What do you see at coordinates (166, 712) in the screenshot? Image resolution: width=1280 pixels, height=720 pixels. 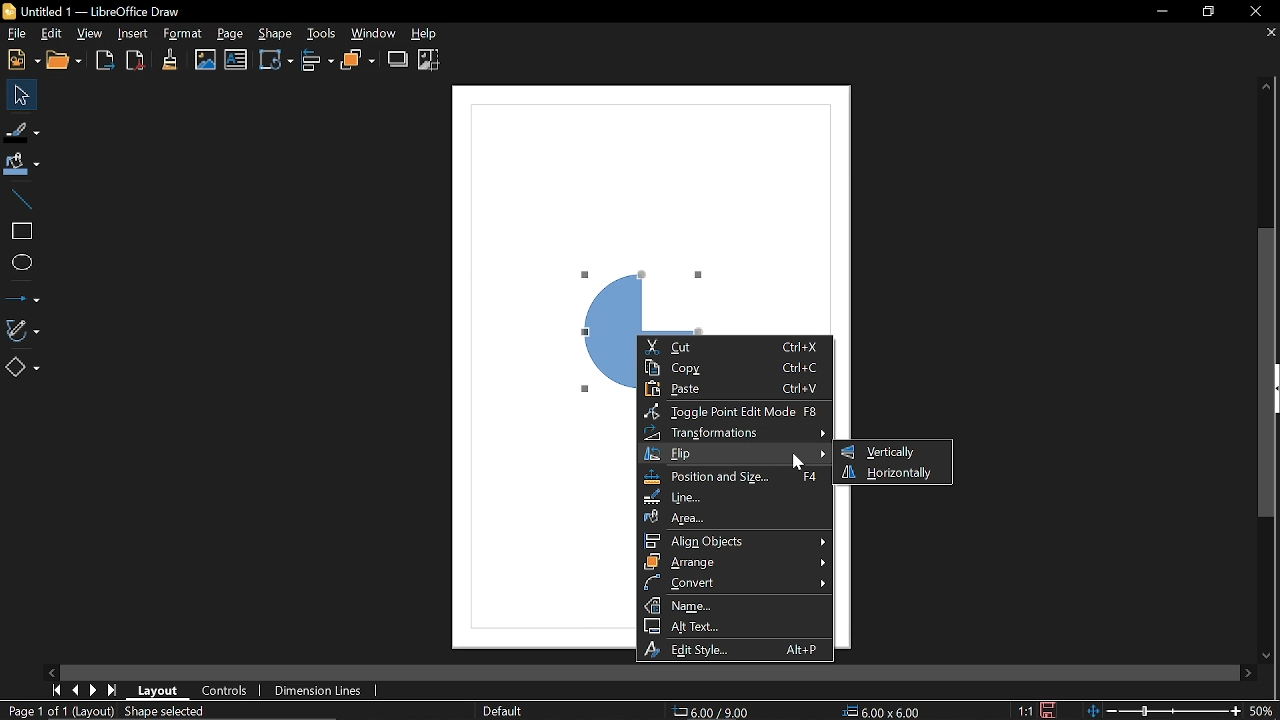 I see `Shape selected` at bounding box center [166, 712].